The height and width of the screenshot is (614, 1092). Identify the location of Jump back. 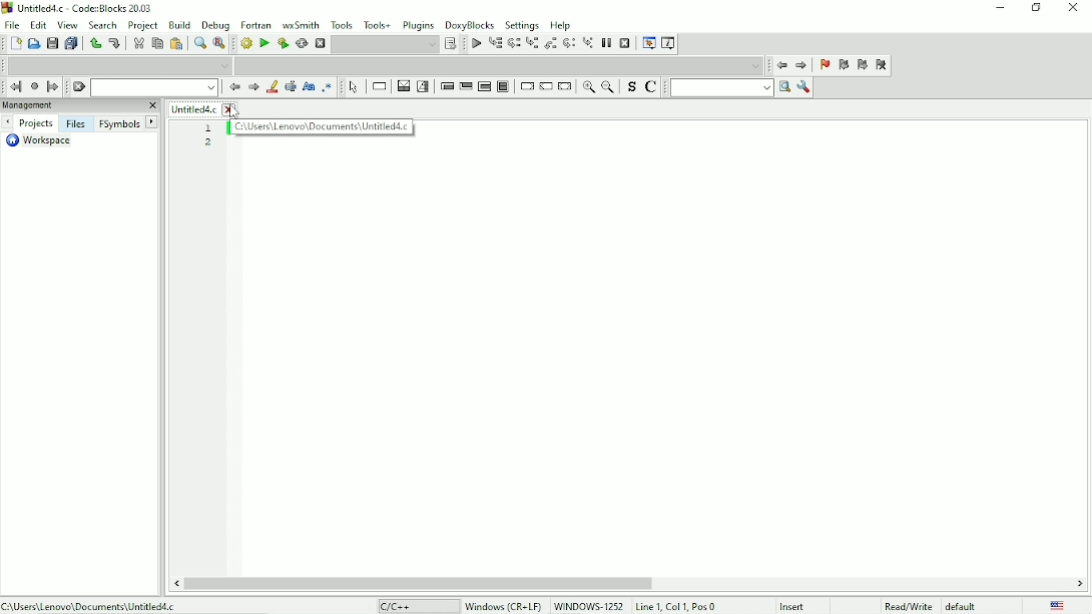
(781, 65).